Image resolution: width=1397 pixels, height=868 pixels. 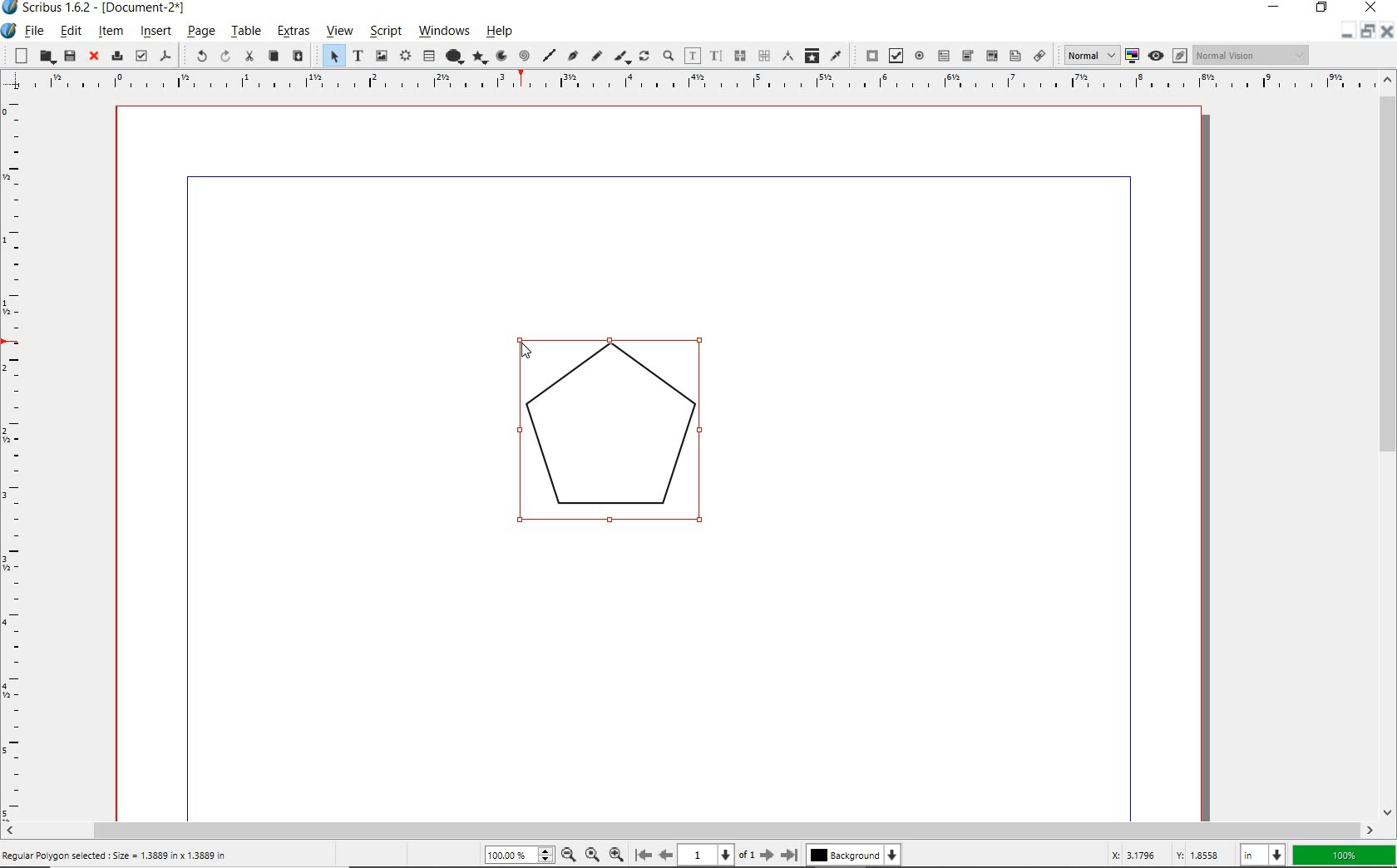 What do you see at coordinates (405, 54) in the screenshot?
I see `render frame` at bounding box center [405, 54].